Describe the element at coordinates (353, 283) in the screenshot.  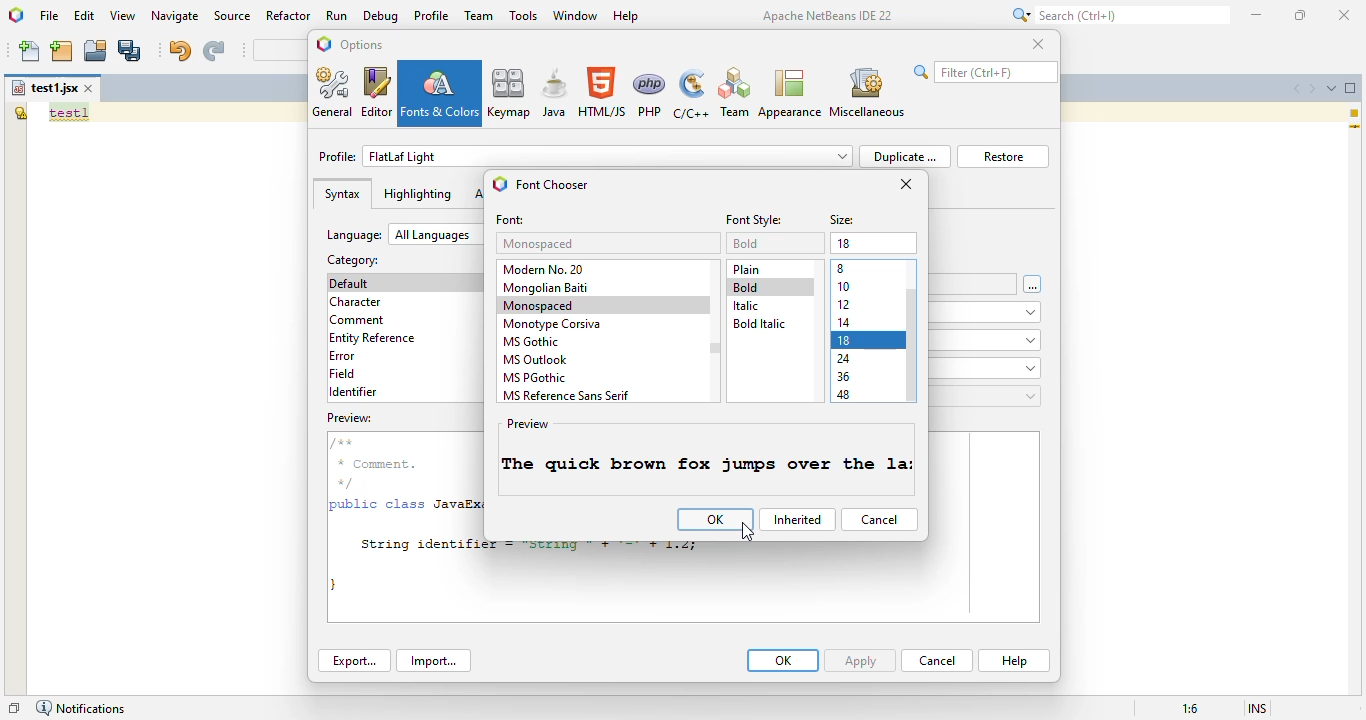
I see `default` at that location.